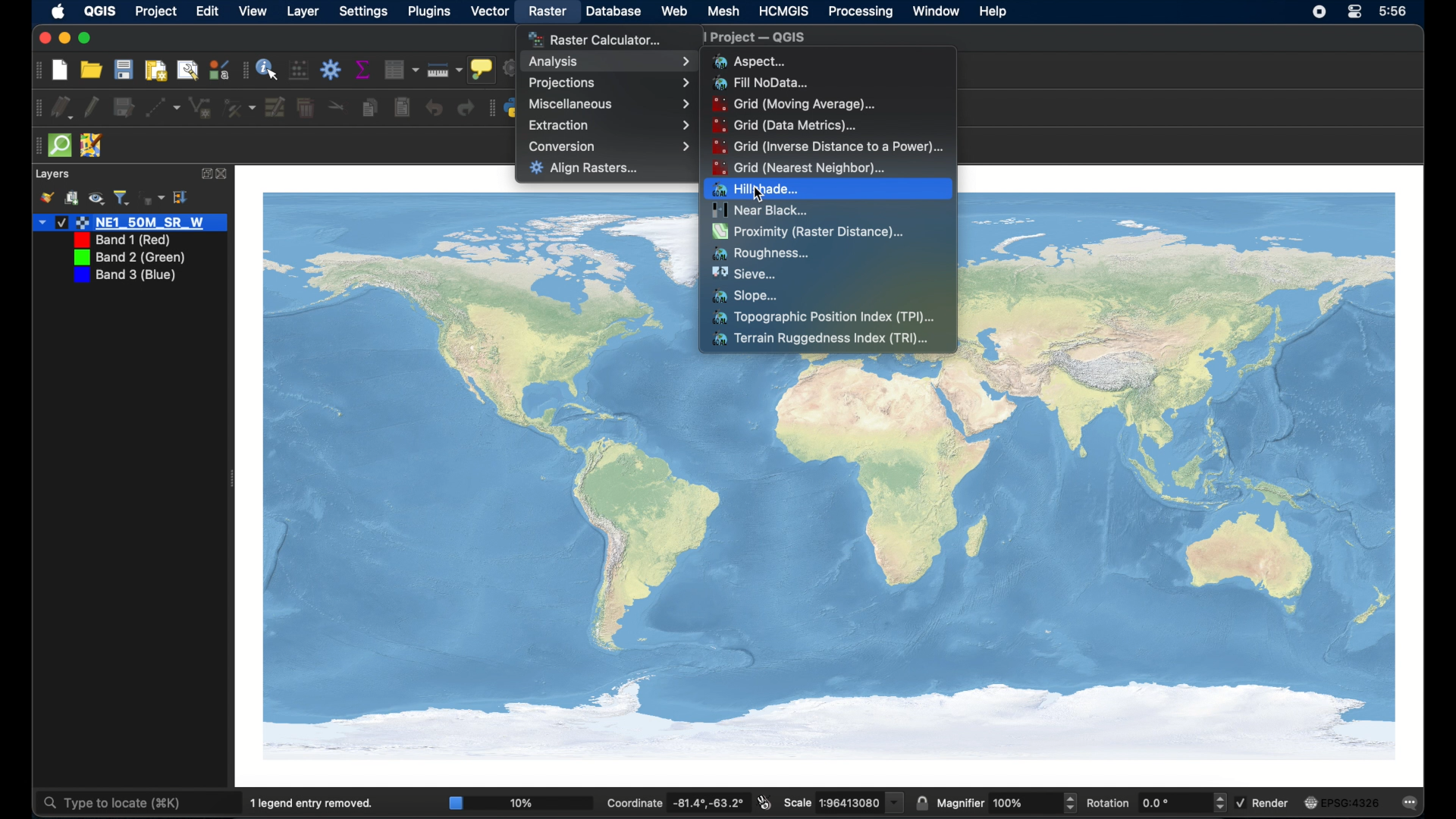 The height and width of the screenshot is (819, 1456). I want to click on near black, so click(760, 210).